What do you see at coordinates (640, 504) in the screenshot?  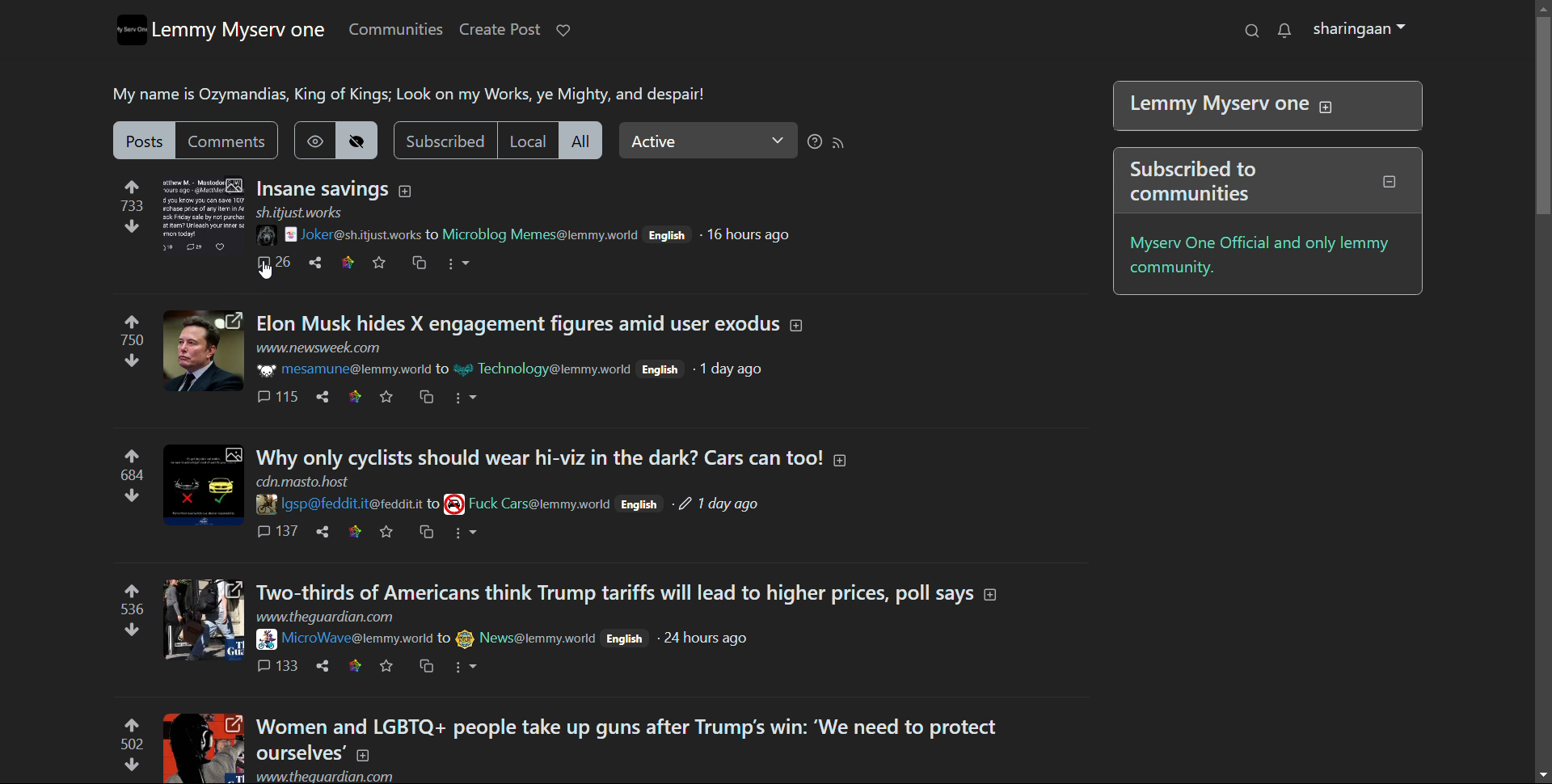 I see `English` at bounding box center [640, 504].